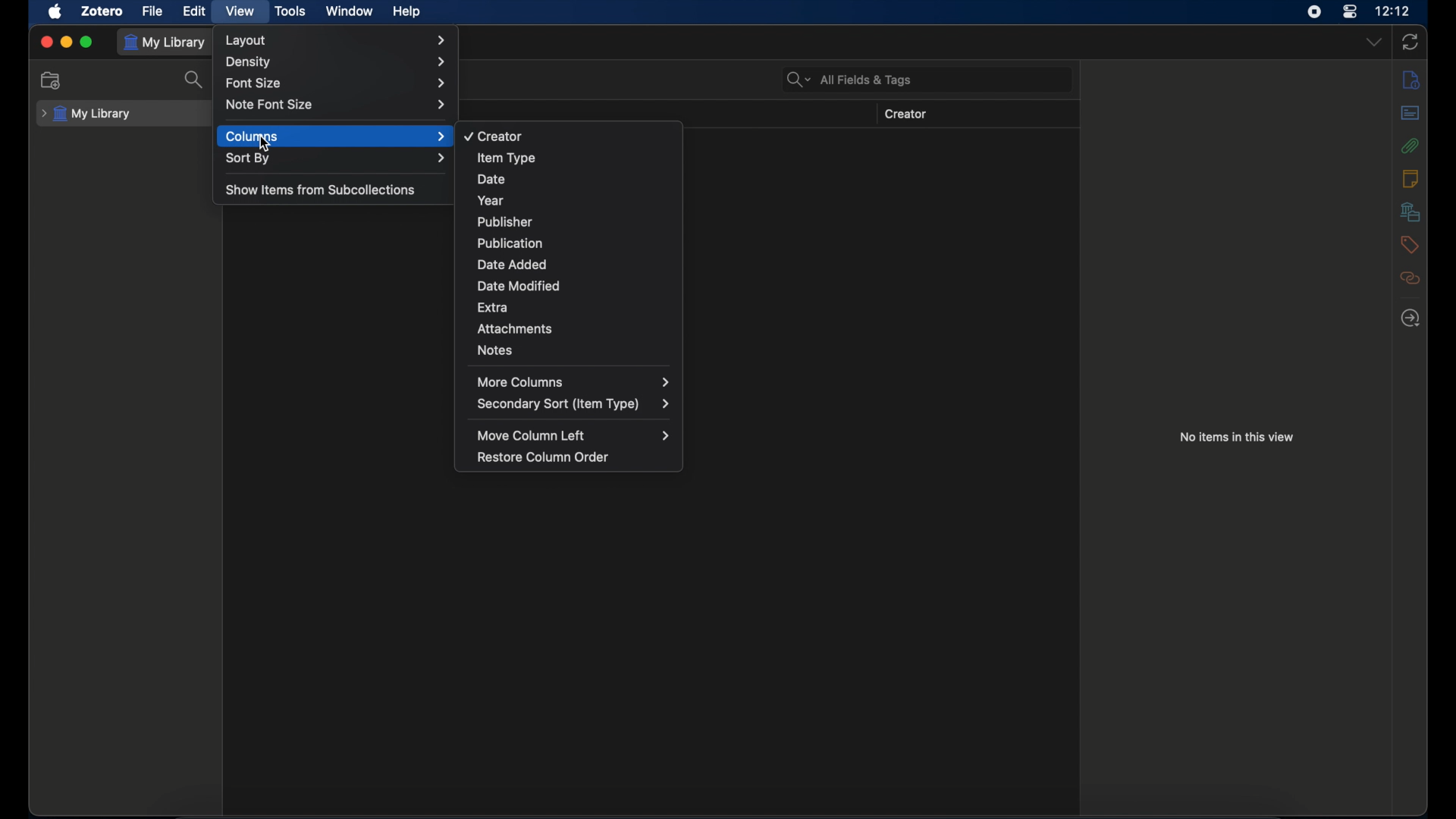 The height and width of the screenshot is (819, 1456). Describe the element at coordinates (336, 62) in the screenshot. I see `density` at that location.